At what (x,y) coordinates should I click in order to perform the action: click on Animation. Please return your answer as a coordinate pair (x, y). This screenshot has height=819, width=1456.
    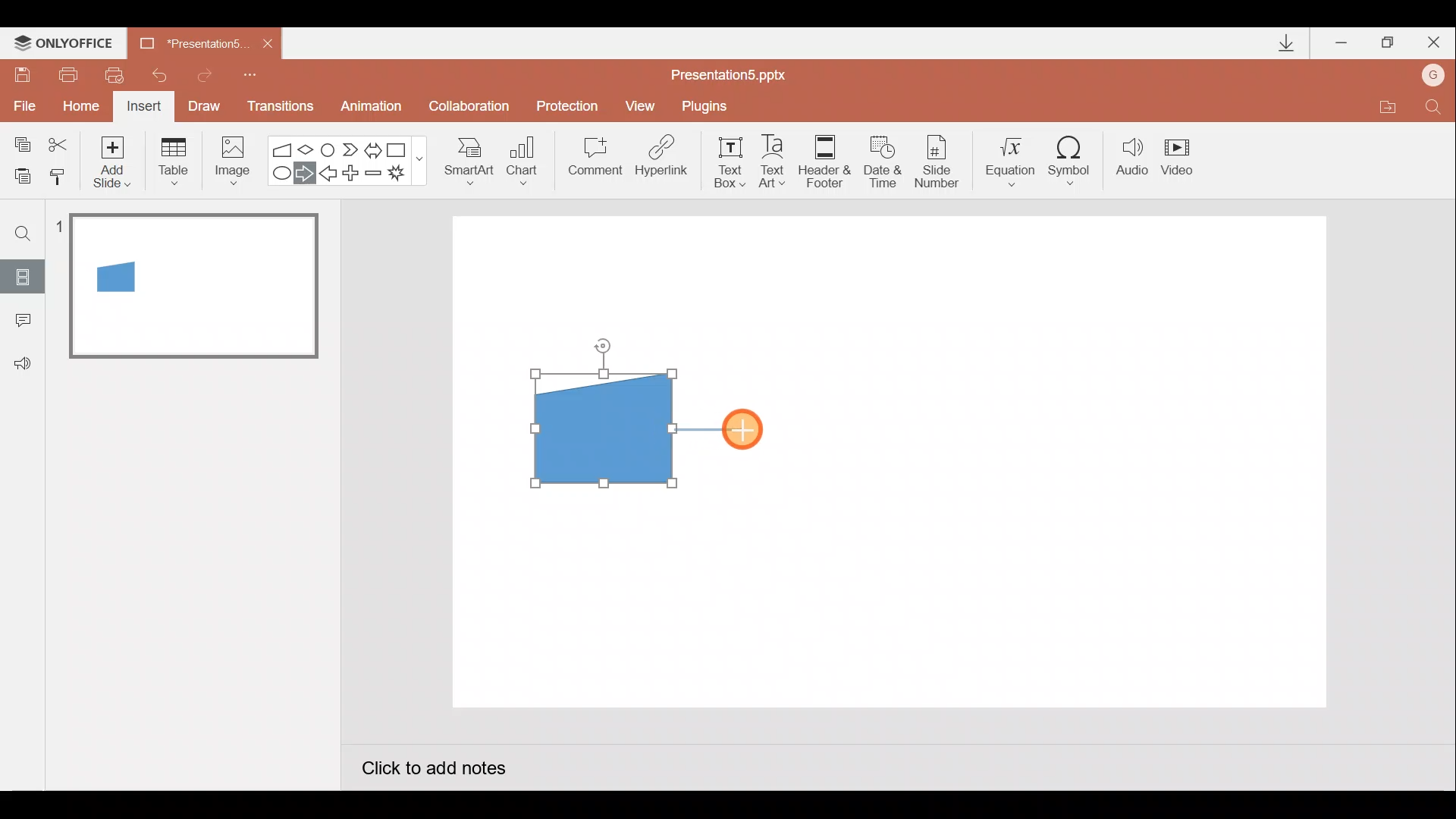
    Looking at the image, I should click on (373, 108).